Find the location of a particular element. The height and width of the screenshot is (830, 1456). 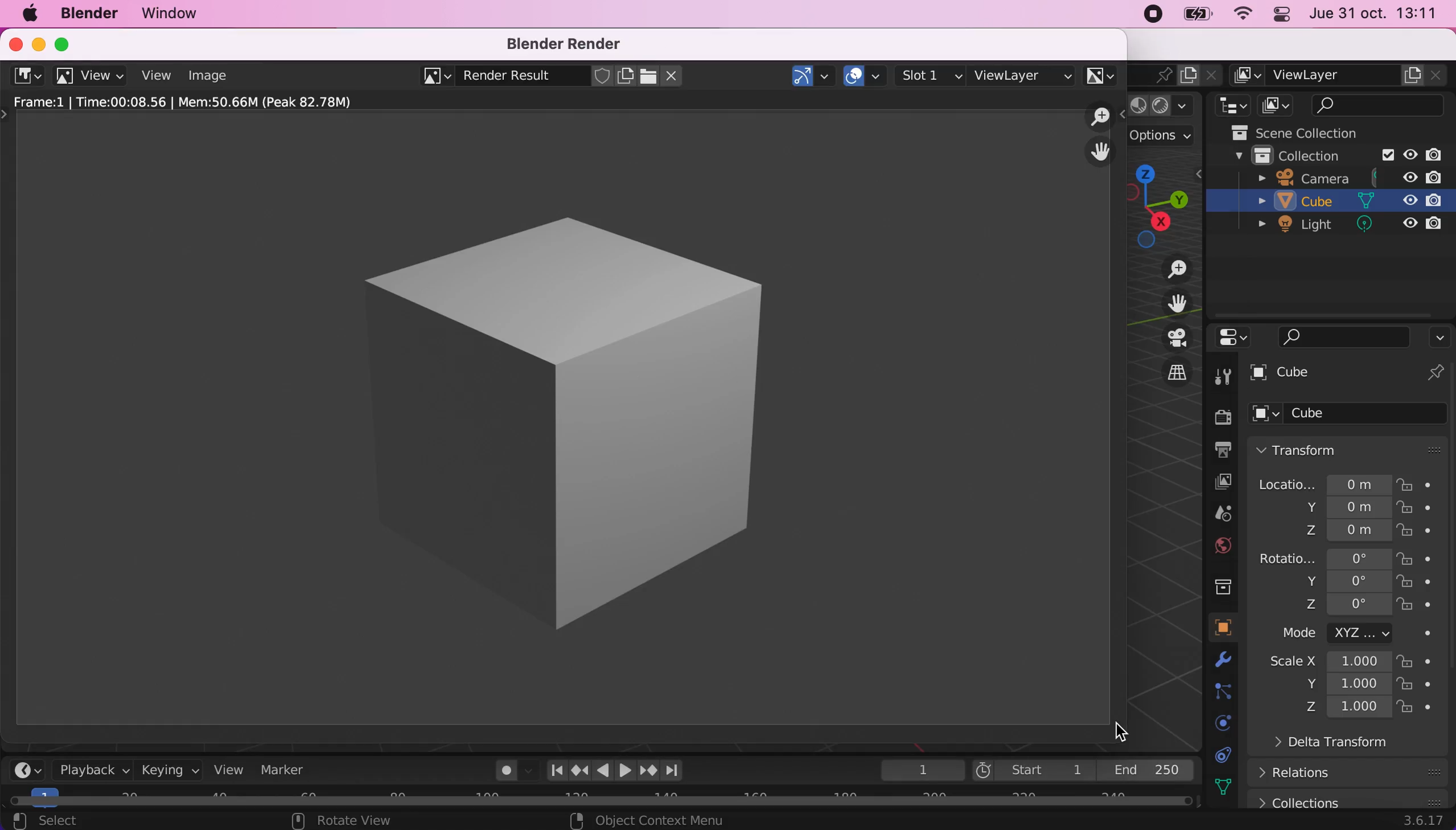

physics is located at coordinates (1229, 663).